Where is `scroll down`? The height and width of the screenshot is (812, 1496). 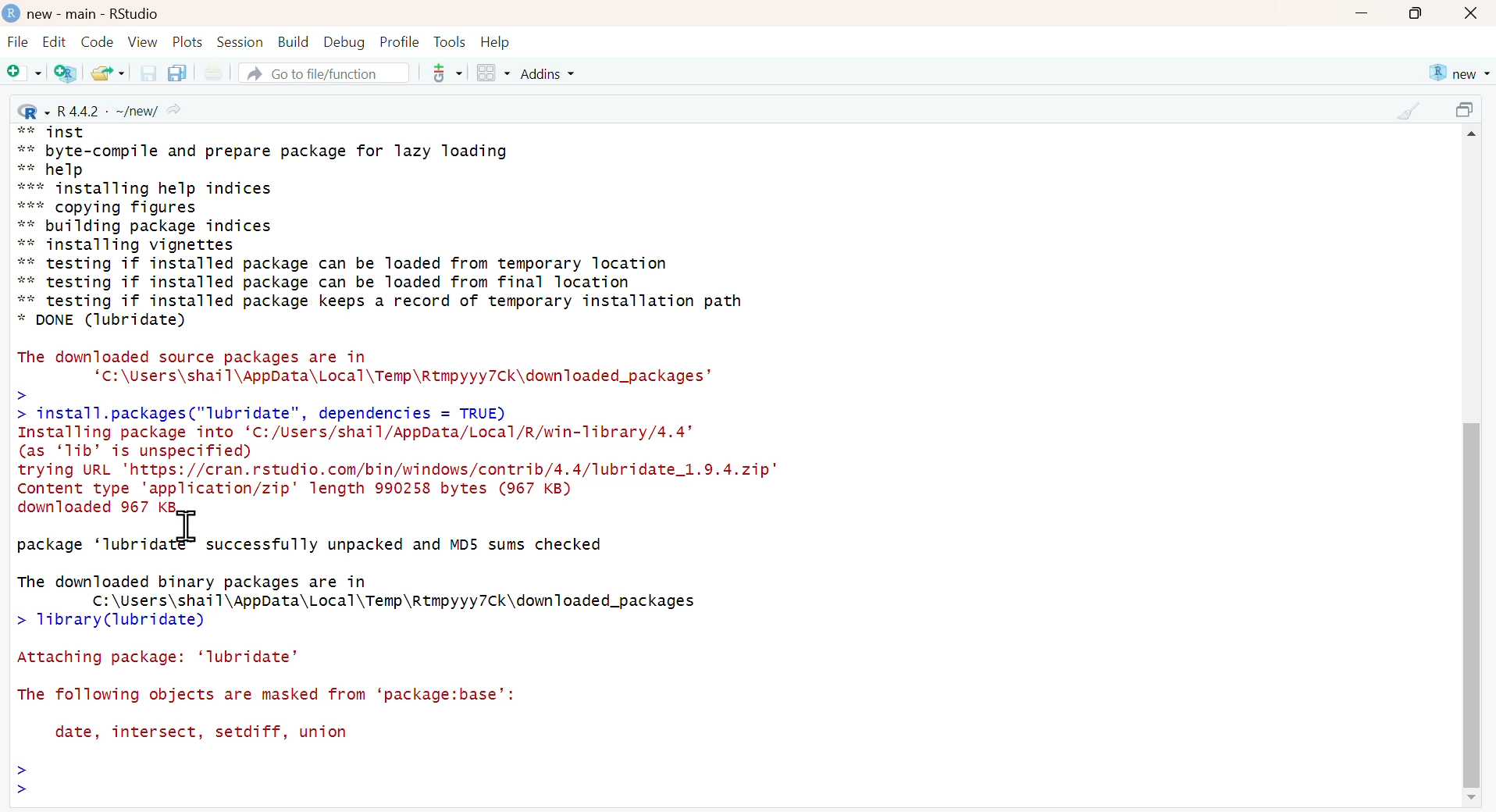
scroll down is located at coordinates (1469, 799).